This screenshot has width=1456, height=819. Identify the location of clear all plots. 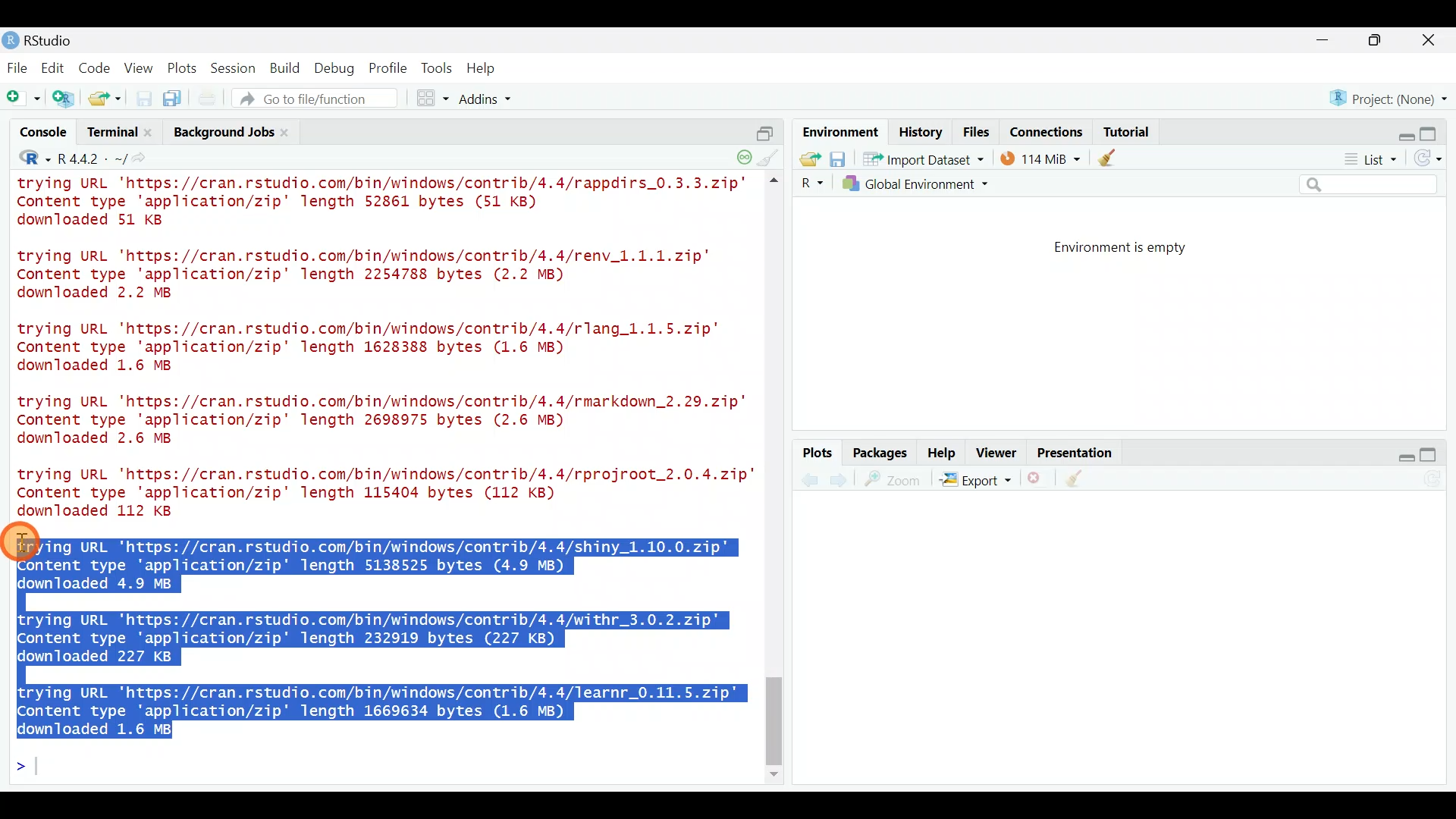
(1083, 481).